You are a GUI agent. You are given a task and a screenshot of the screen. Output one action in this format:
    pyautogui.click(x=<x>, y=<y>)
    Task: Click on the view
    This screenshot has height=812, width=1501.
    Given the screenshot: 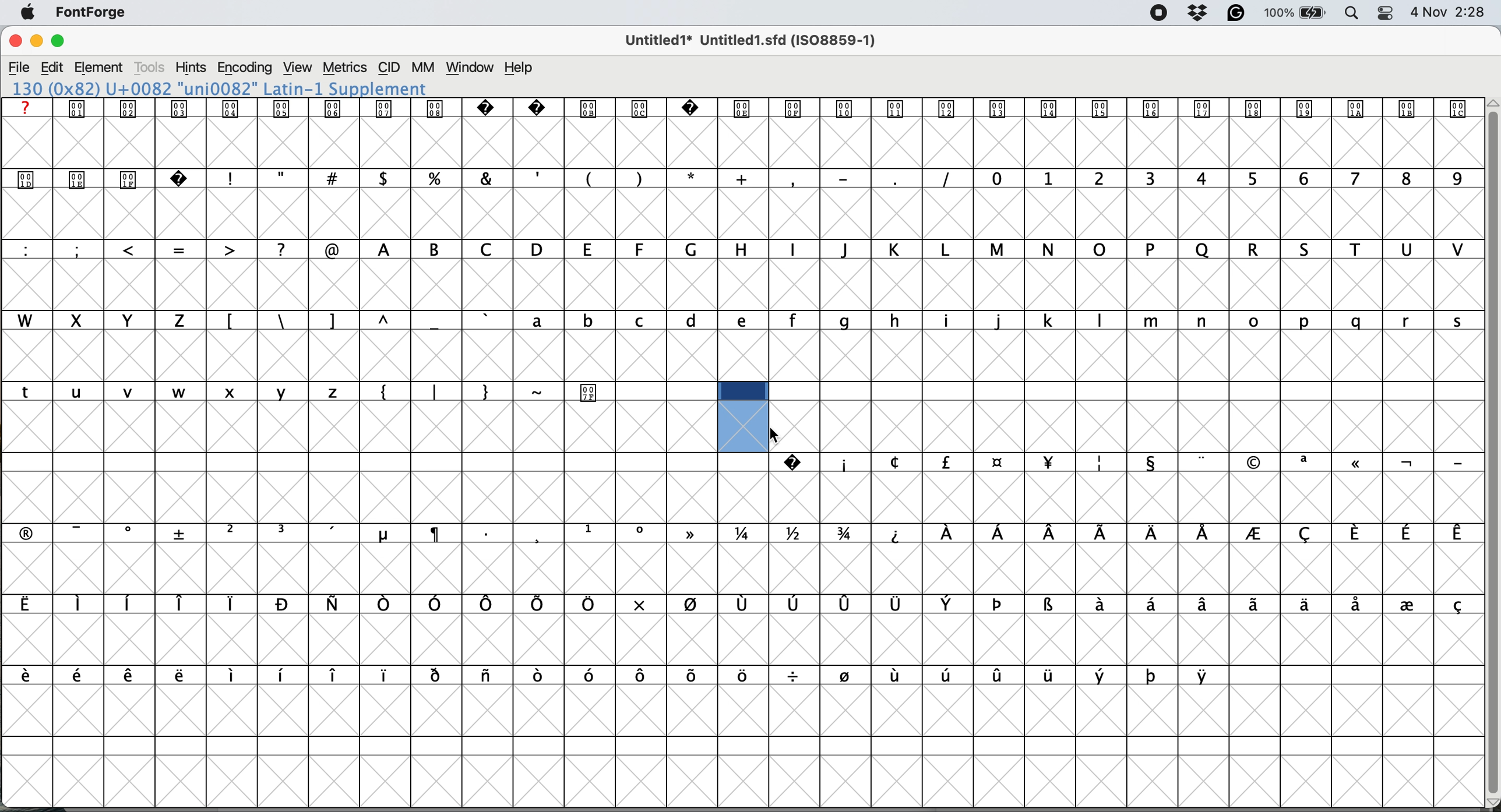 What is the action you would take?
    pyautogui.click(x=300, y=68)
    